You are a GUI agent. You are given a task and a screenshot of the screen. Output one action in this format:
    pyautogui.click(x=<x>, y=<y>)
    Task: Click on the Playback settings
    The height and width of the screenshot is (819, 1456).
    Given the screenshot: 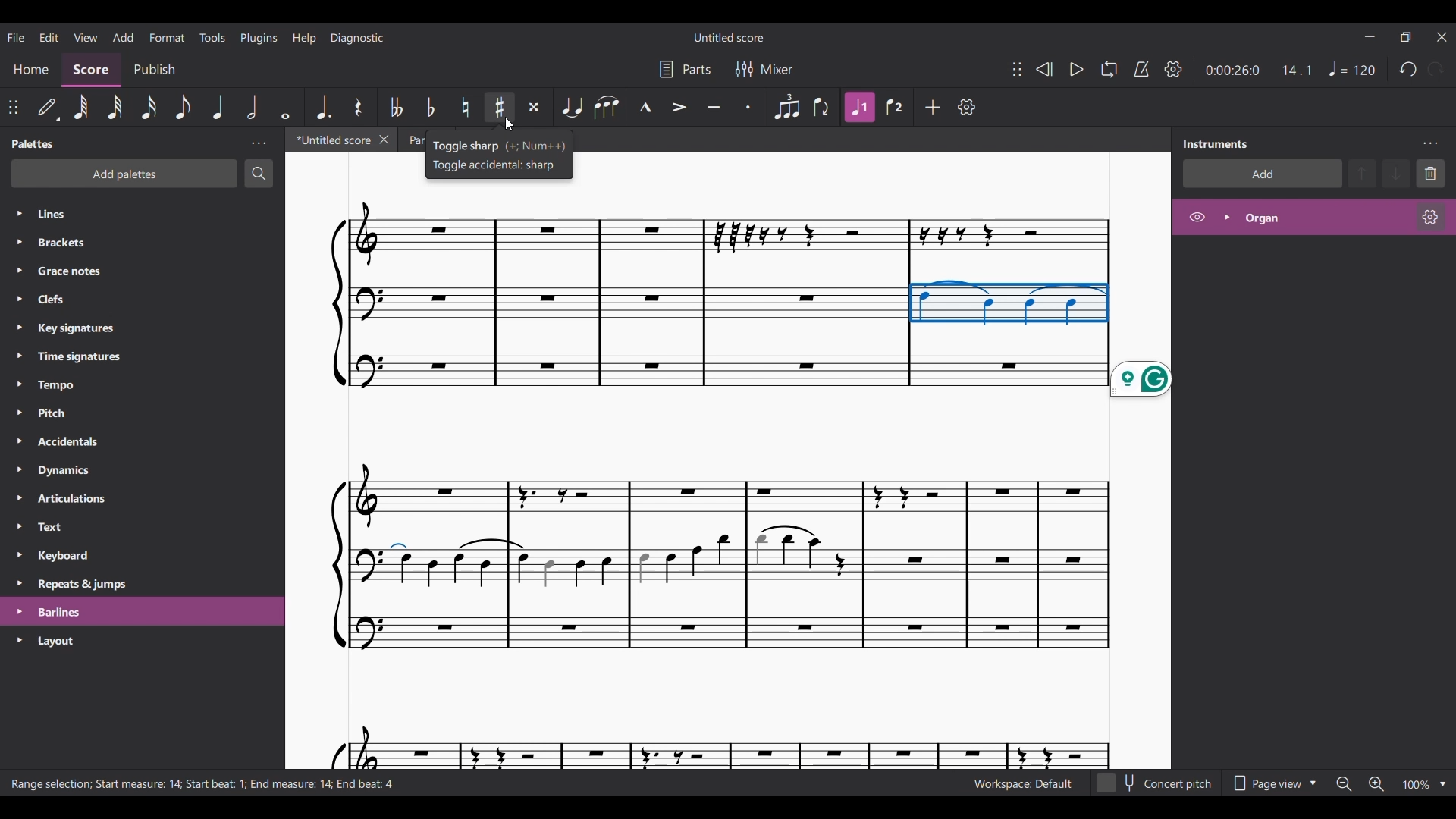 What is the action you would take?
    pyautogui.click(x=1173, y=68)
    